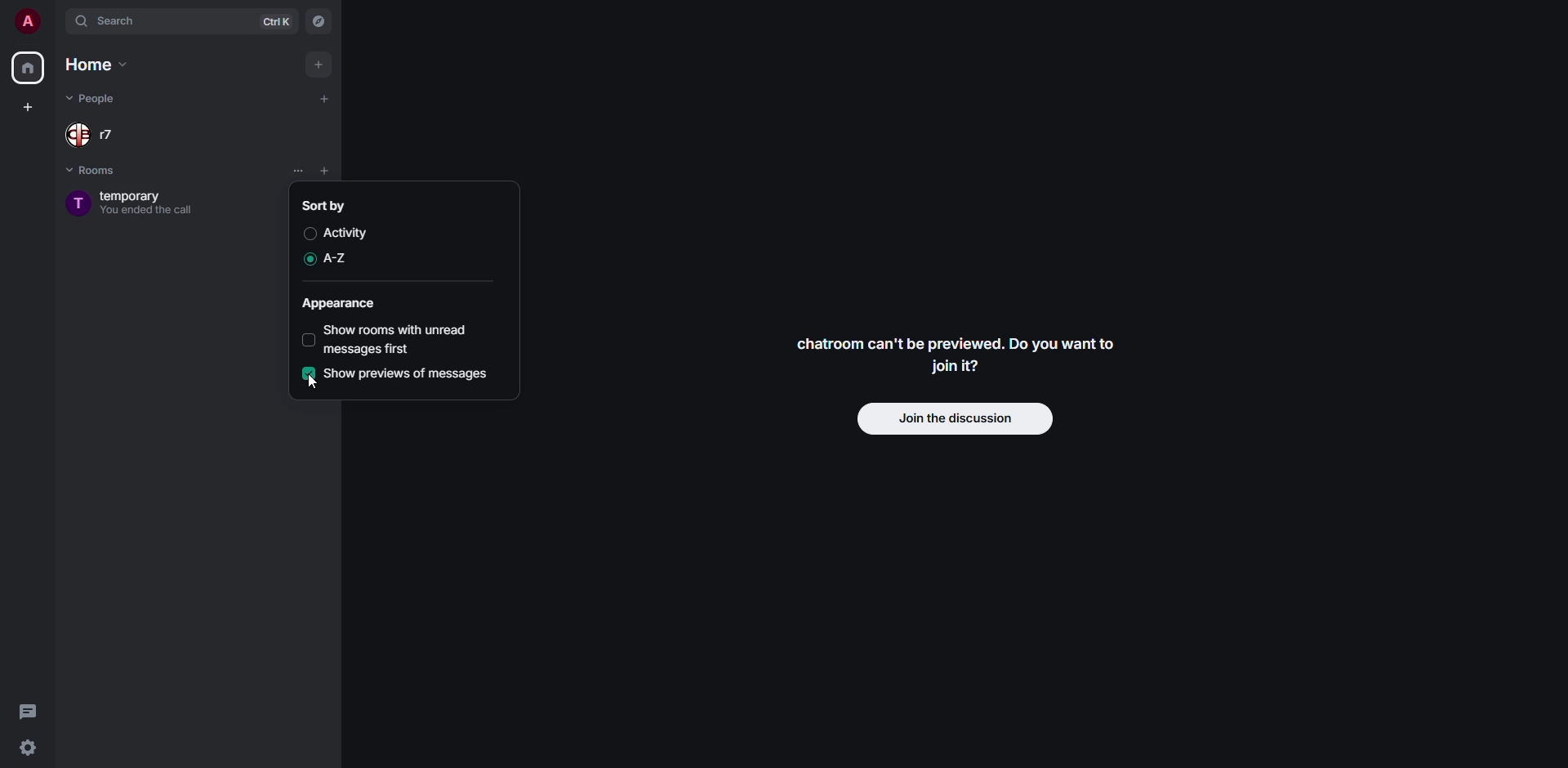 The height and width of the screenshot is (768, 1568). I want to click on threads, so click(29, 710).